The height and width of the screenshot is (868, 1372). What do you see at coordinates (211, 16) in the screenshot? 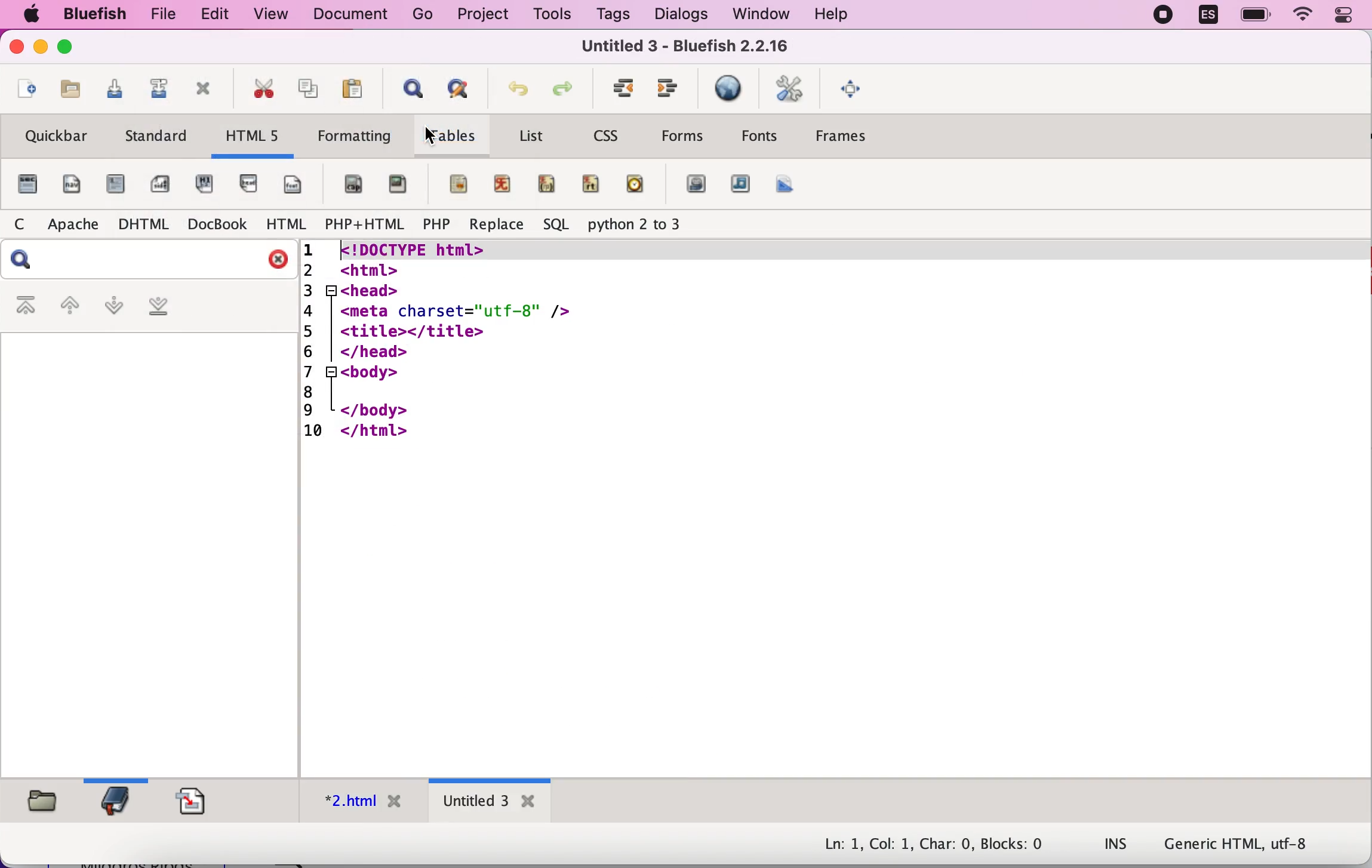
I see `edit` at bounding box center [211, 16].